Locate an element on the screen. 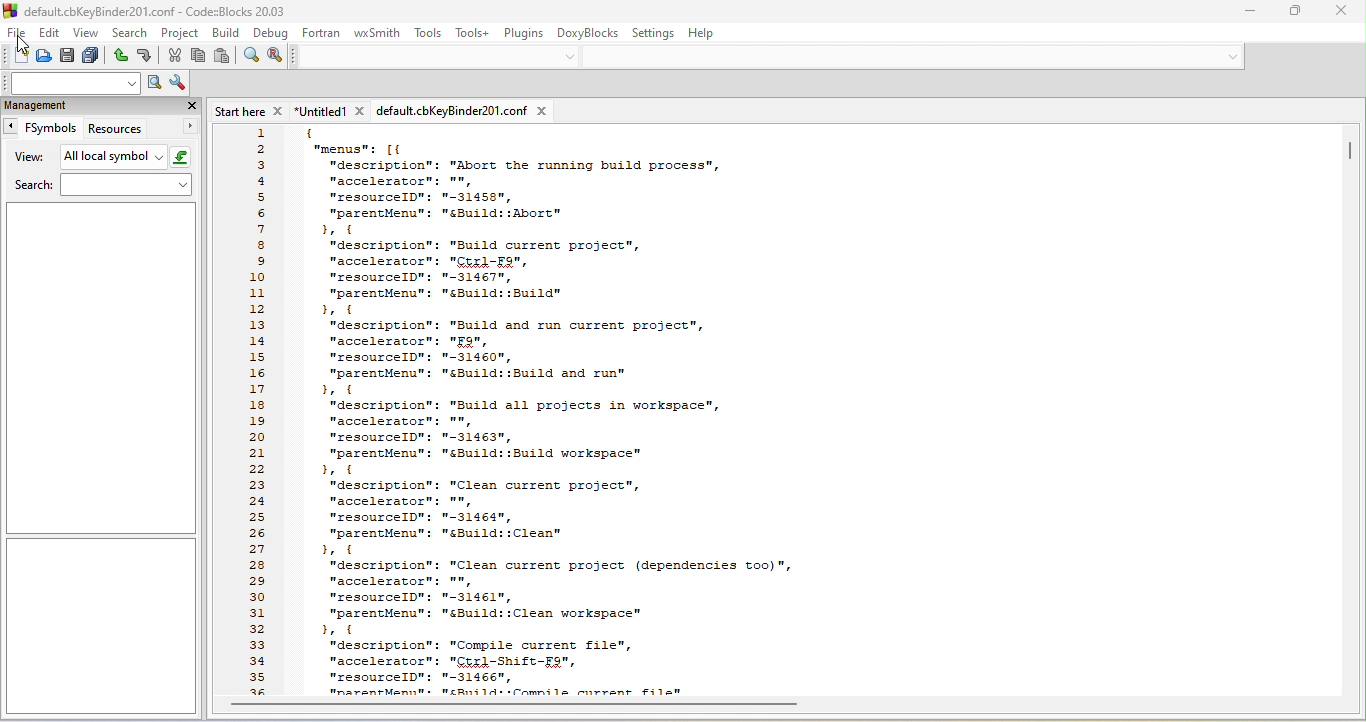 The width and height of the screenshot is (1366, 722). copy is located at coordinates (197, 56).